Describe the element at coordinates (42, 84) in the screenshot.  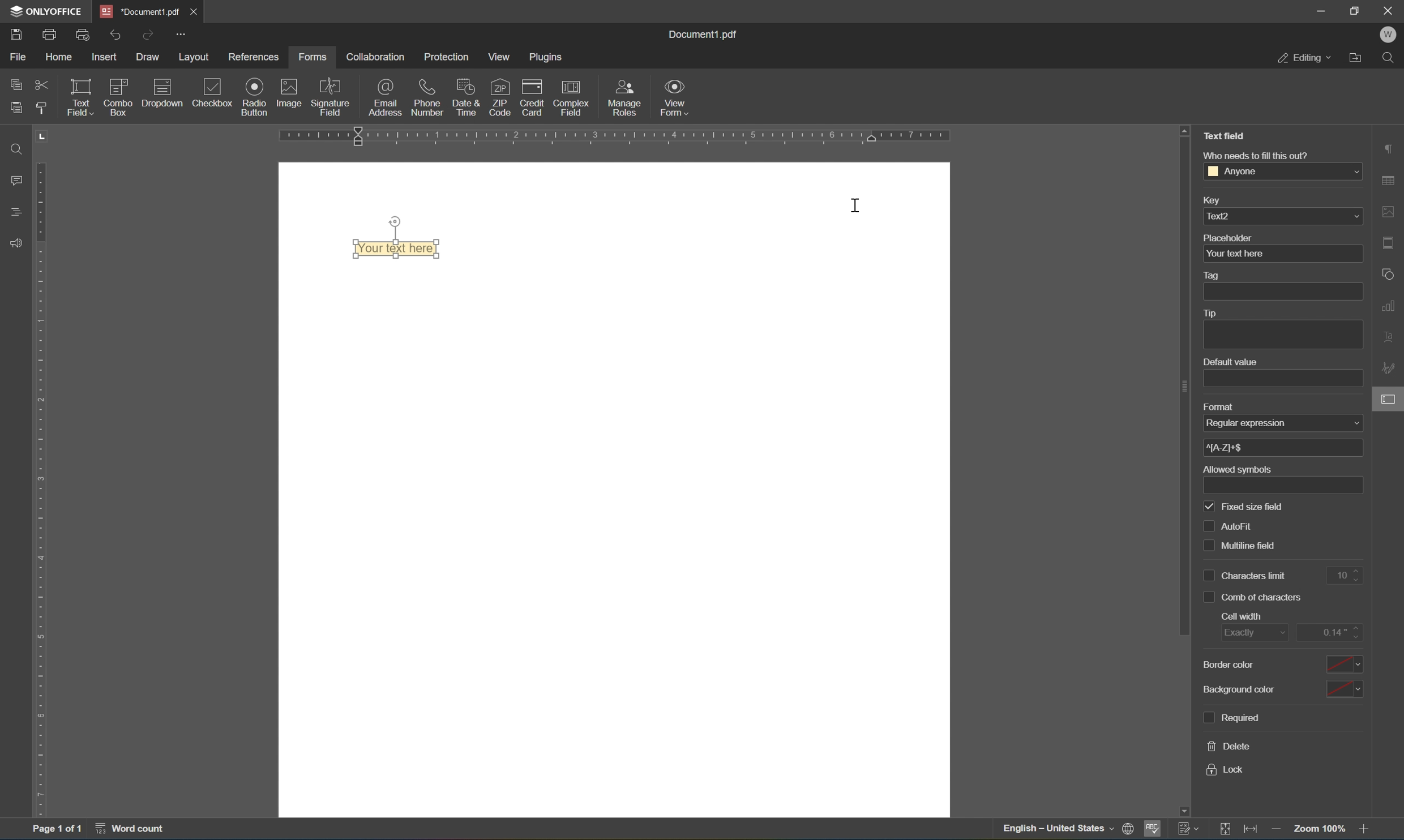
I see `cut` at that location.